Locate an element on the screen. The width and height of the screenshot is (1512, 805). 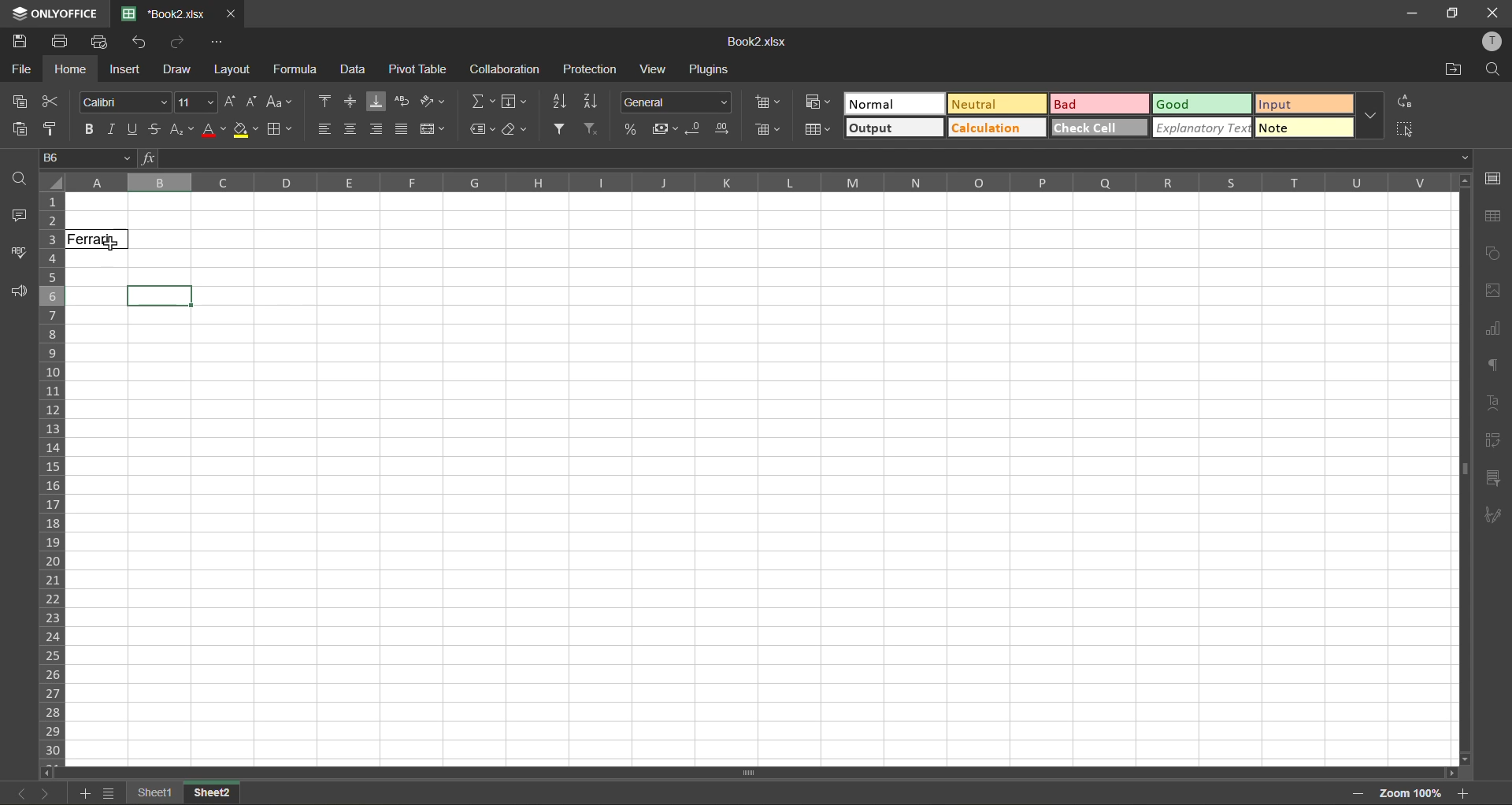
normal is located at coordinates (895, 103).